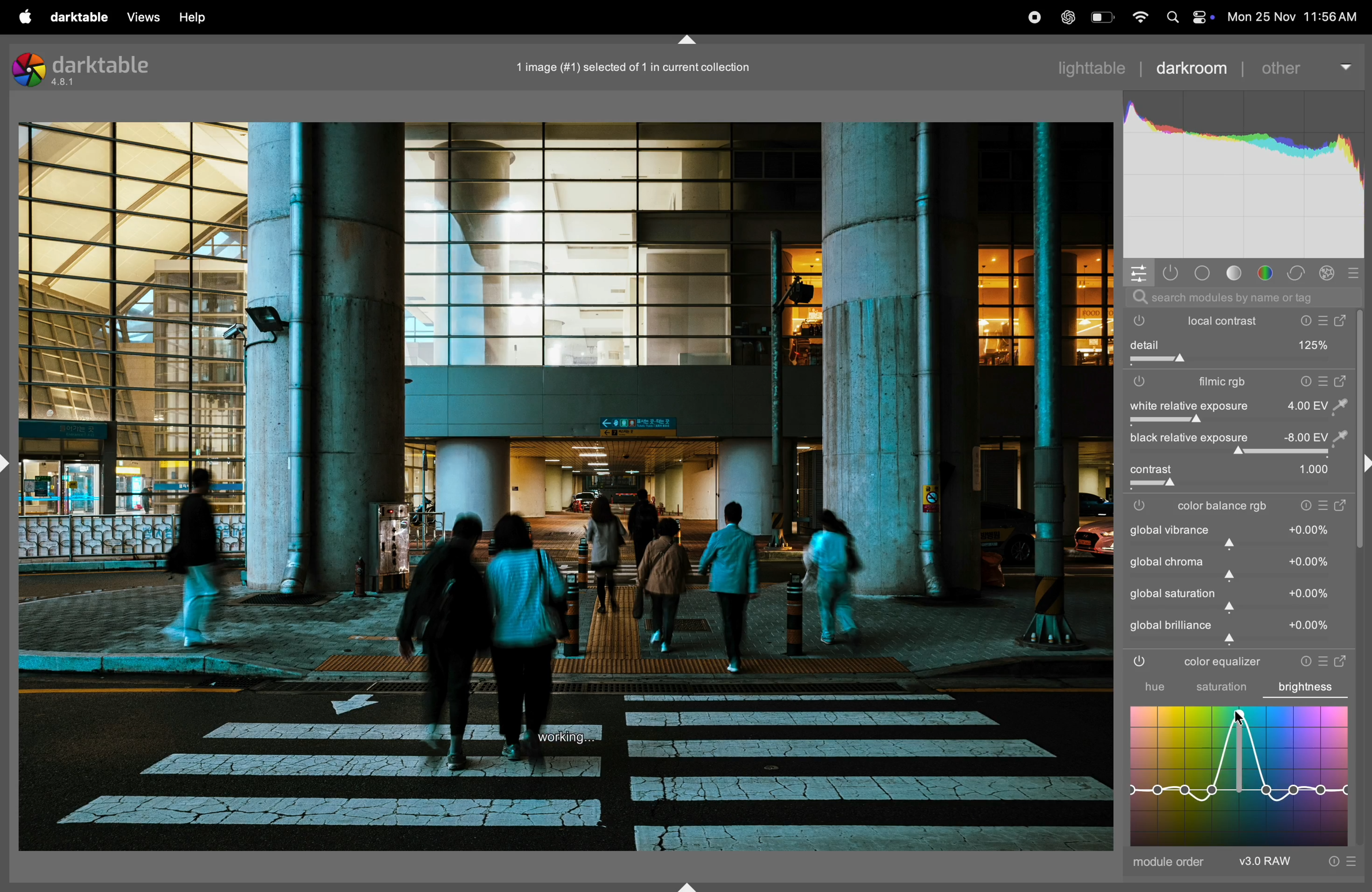 This screenshot has height=892, width=1372. I want to click on toggle, so click(1152, 470).